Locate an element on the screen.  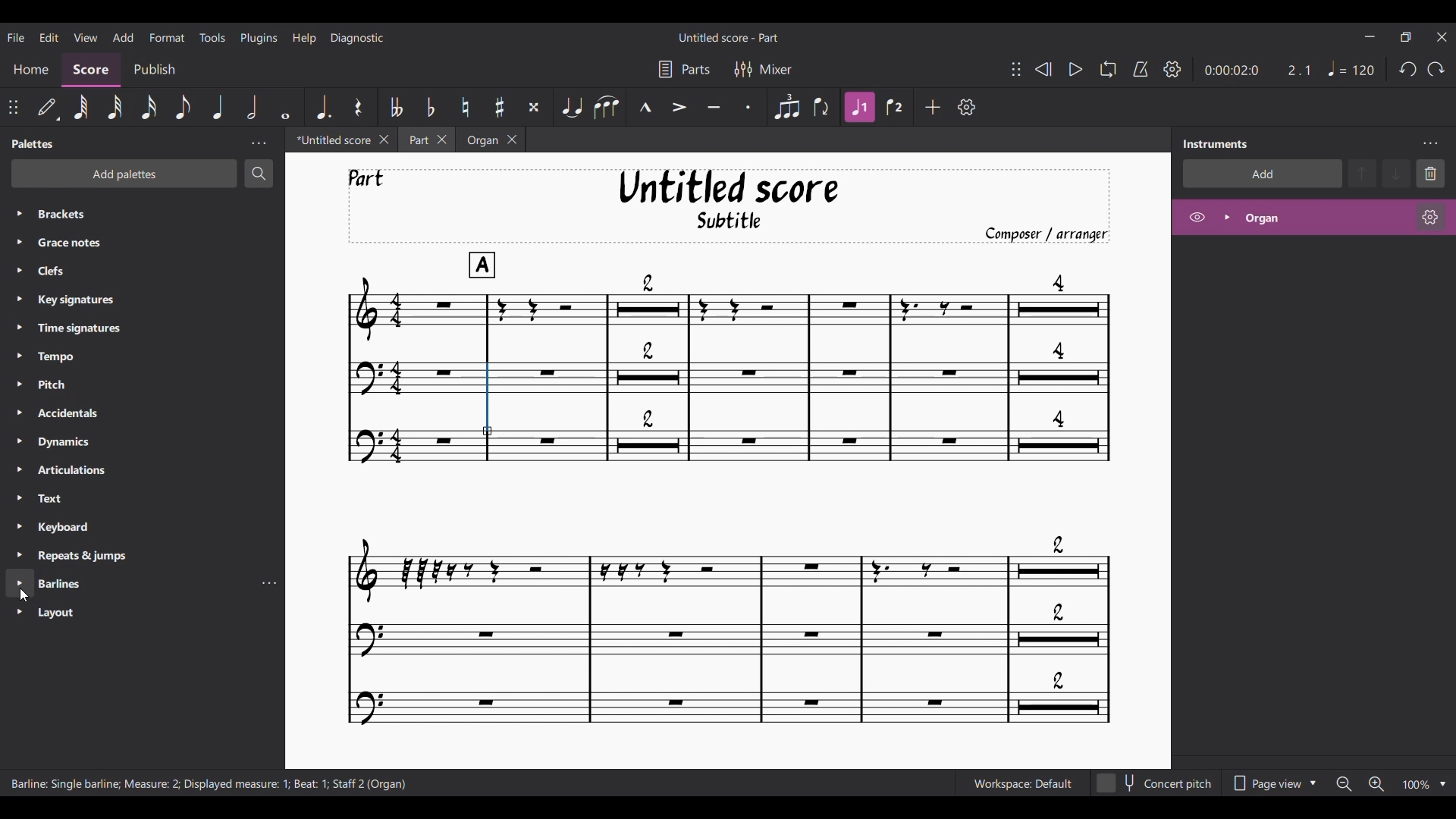
Click to expand respective palette is located at coordinates (20, 388).